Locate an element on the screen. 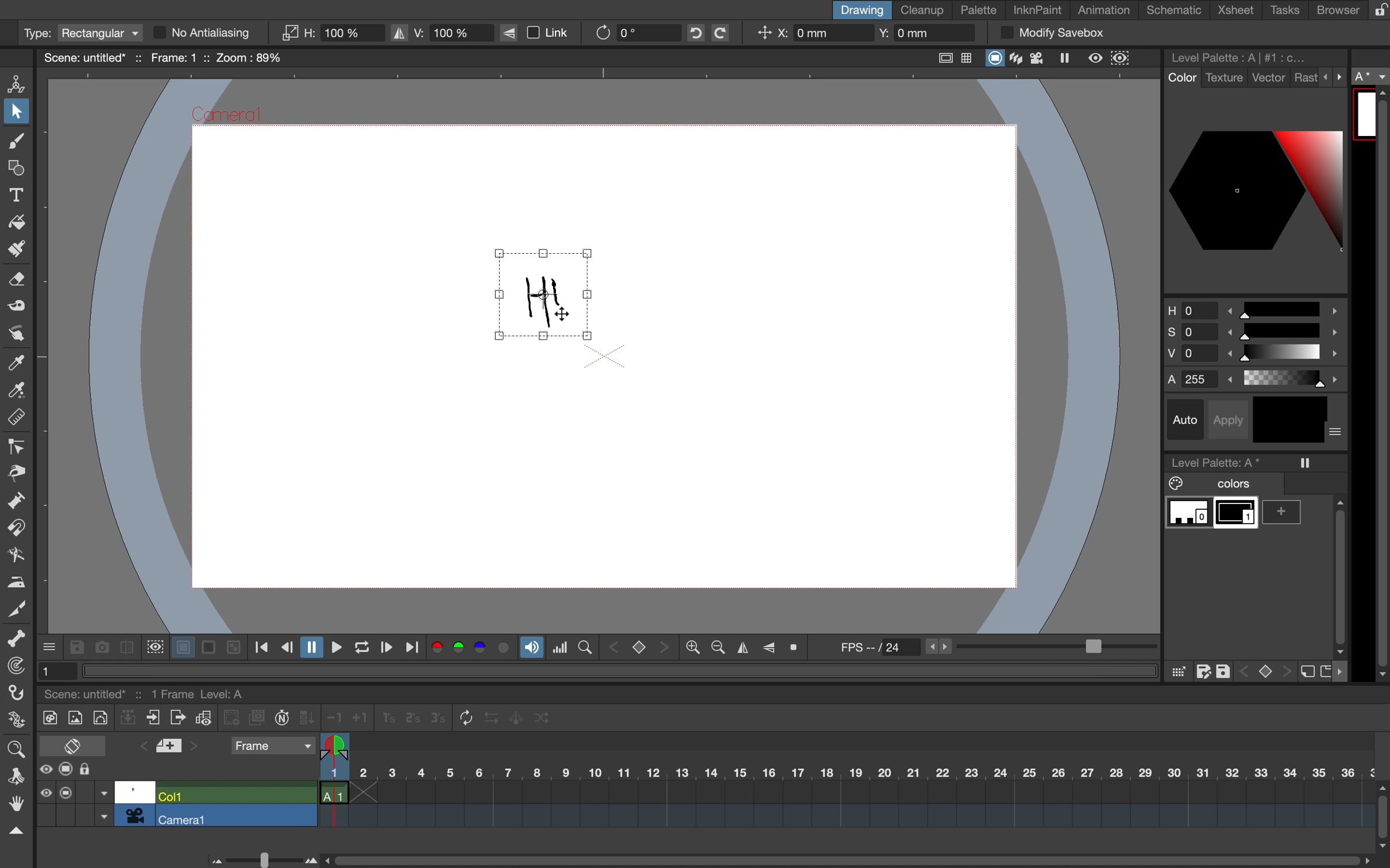 This screenshot has height=868, width=1390. drawing is located at coordinates (860, 10).